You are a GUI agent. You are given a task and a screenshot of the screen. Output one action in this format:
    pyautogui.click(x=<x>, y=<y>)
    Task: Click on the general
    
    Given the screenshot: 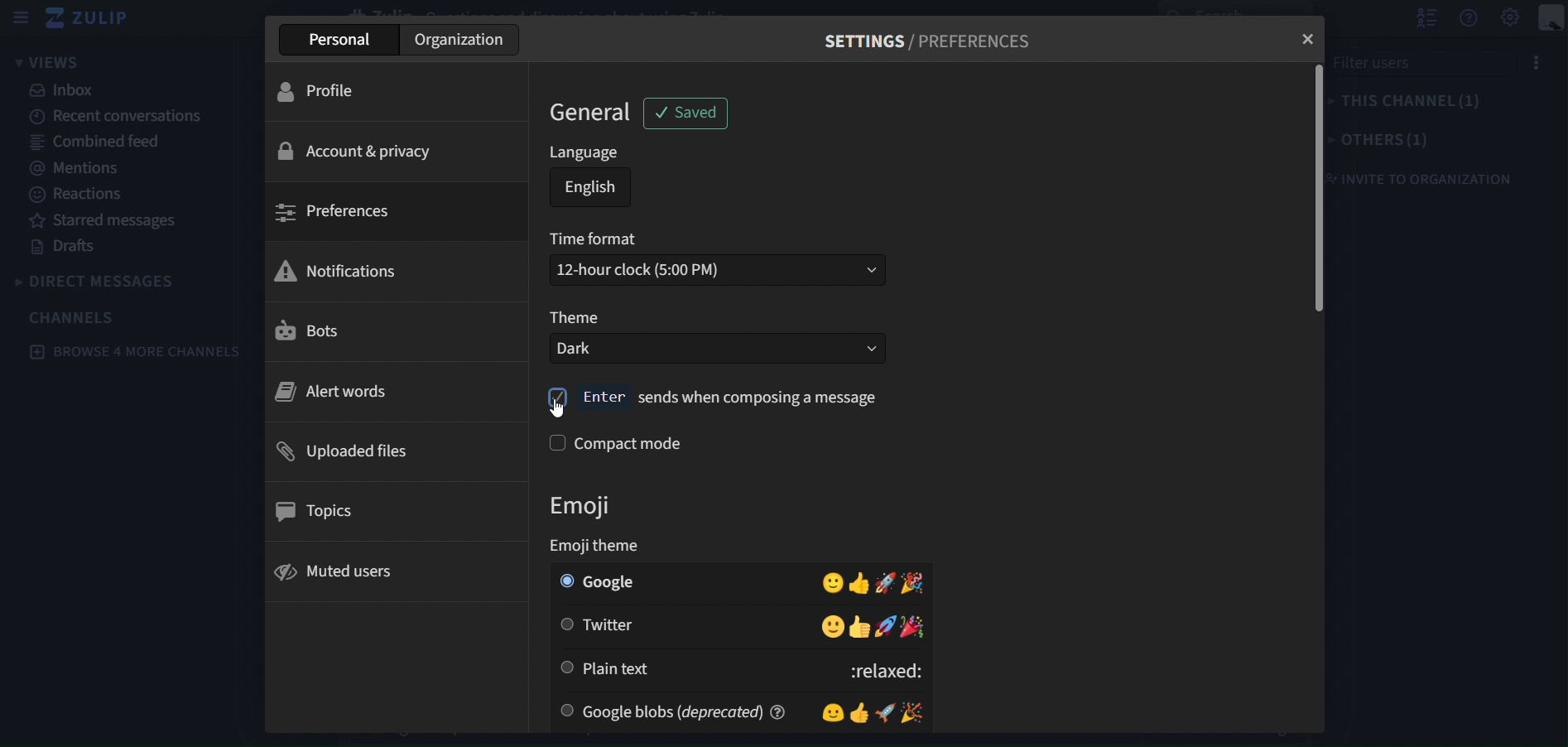 What is the action you would take?
    pyautogui.click(x=596, y=112)
    